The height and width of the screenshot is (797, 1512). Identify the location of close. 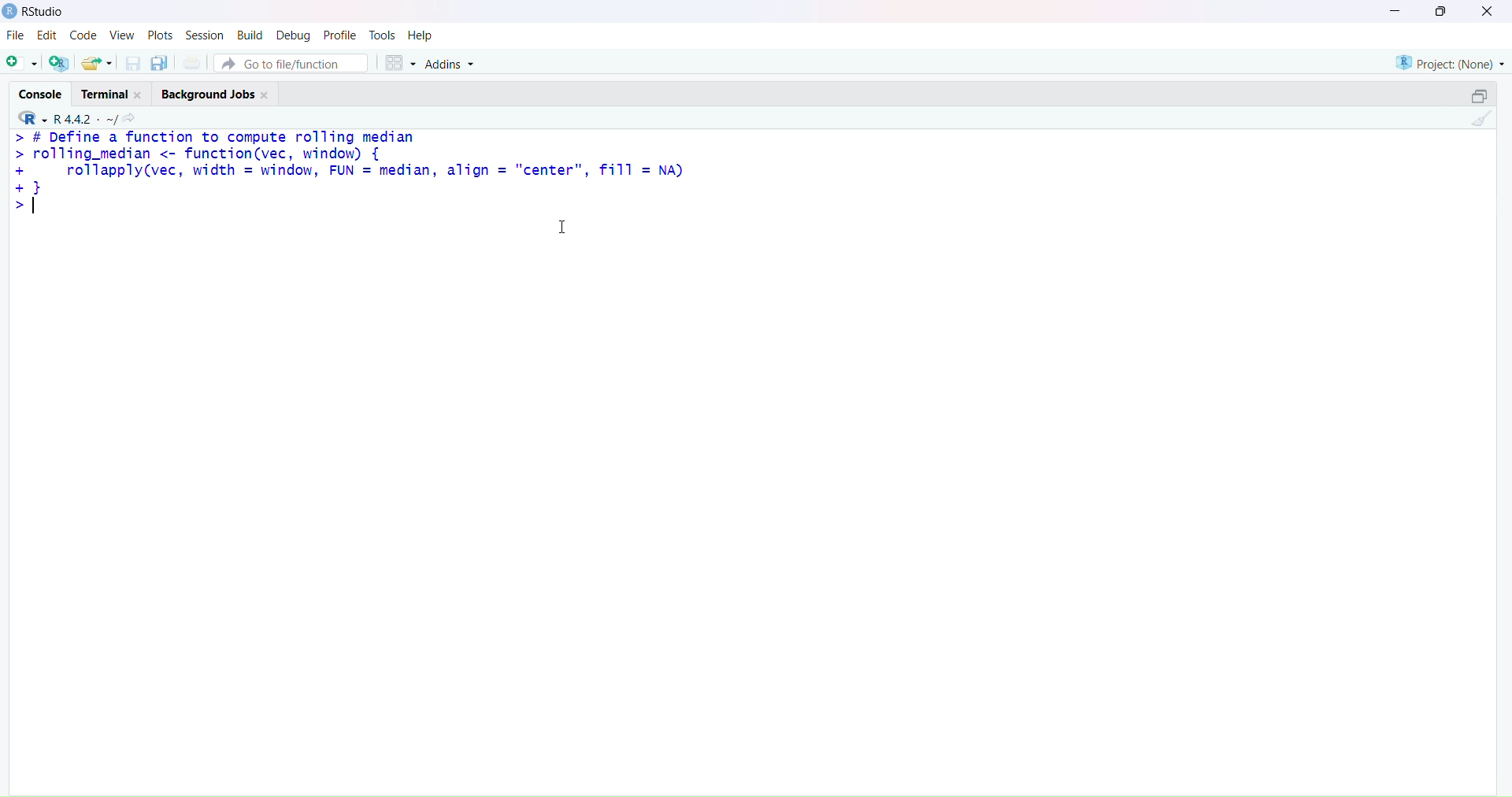
(265, 96).